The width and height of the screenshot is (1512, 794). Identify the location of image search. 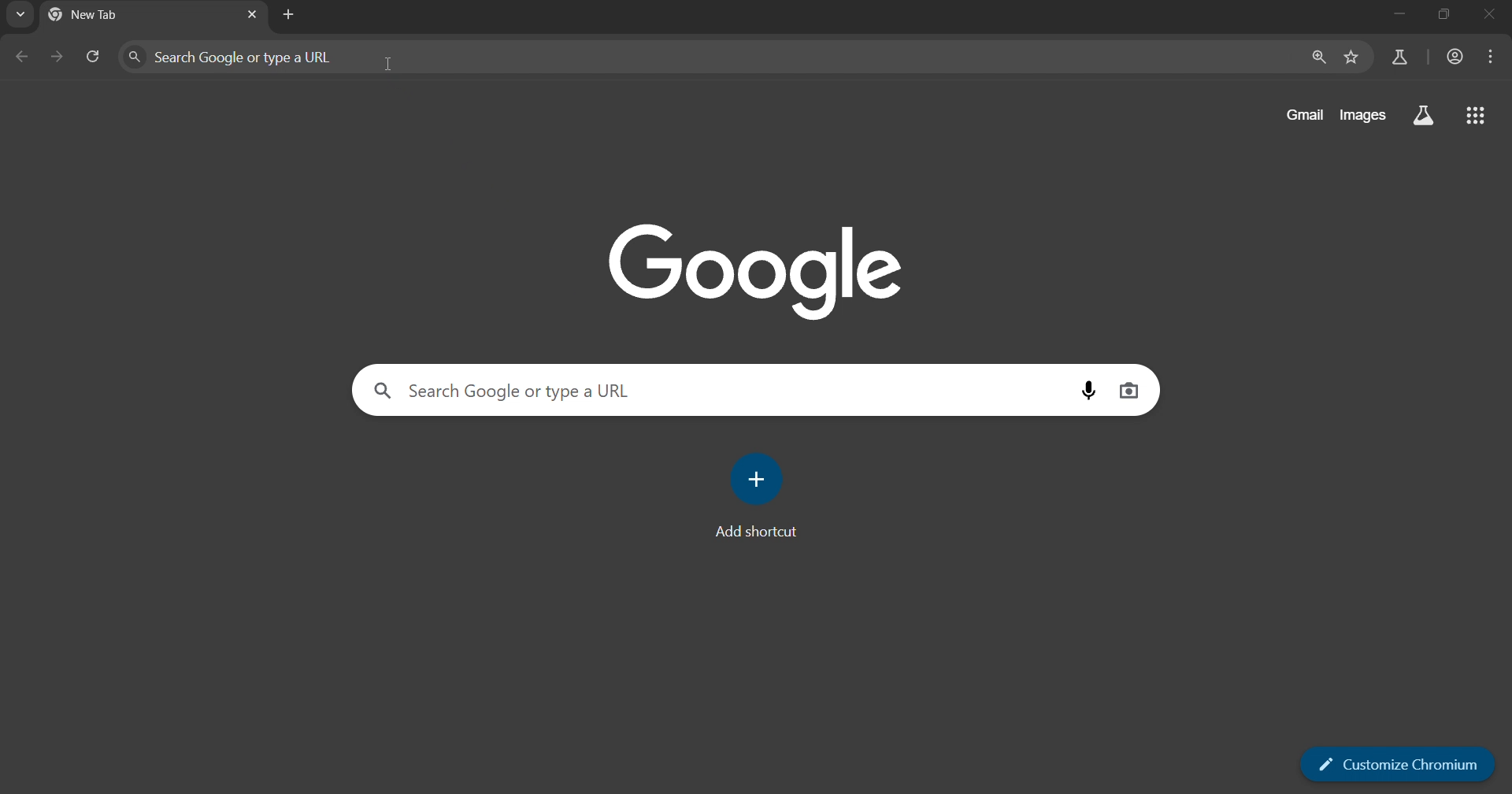
(1131, 390).